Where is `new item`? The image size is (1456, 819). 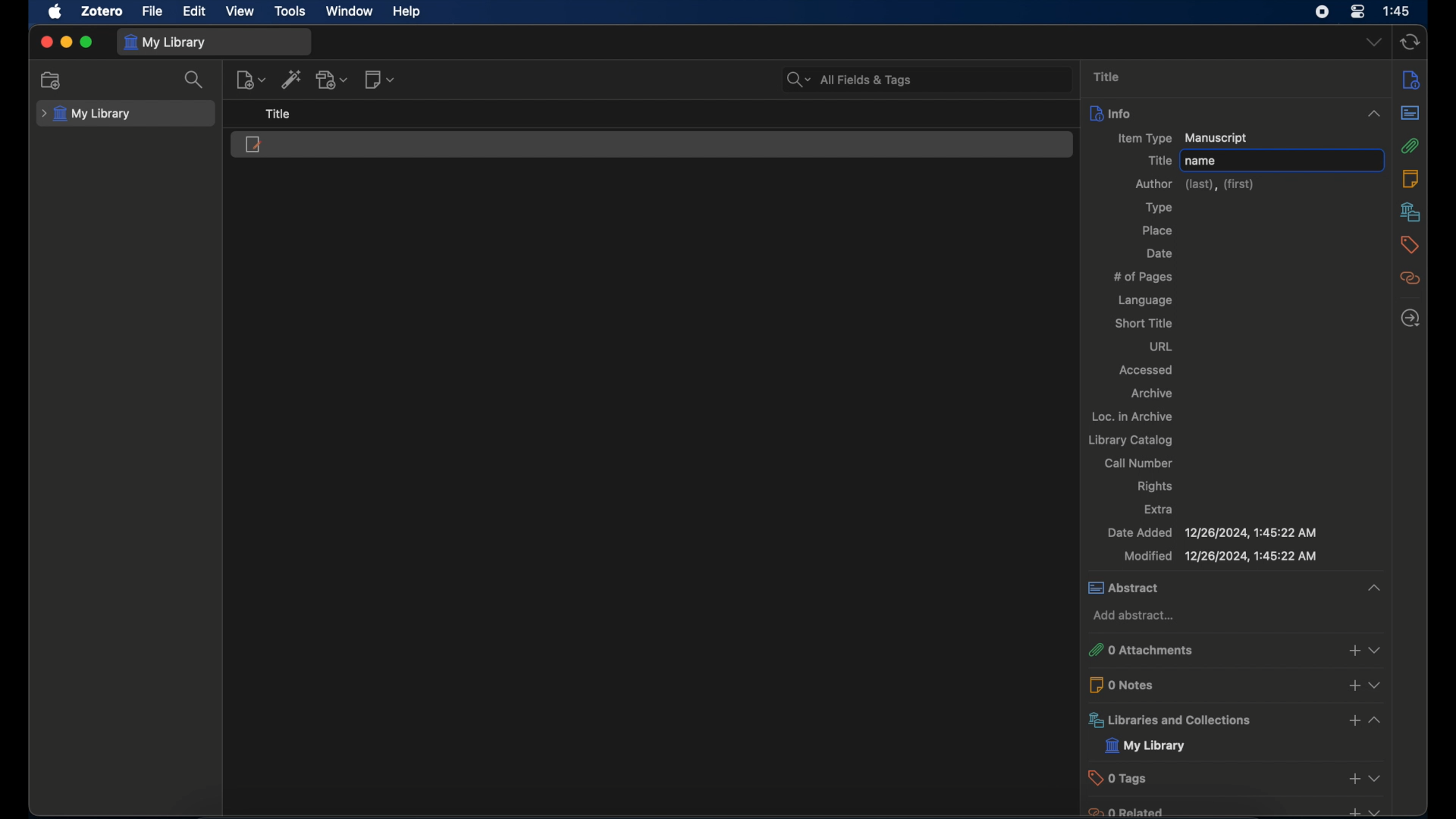
new item is located at coordinates (250, 80).